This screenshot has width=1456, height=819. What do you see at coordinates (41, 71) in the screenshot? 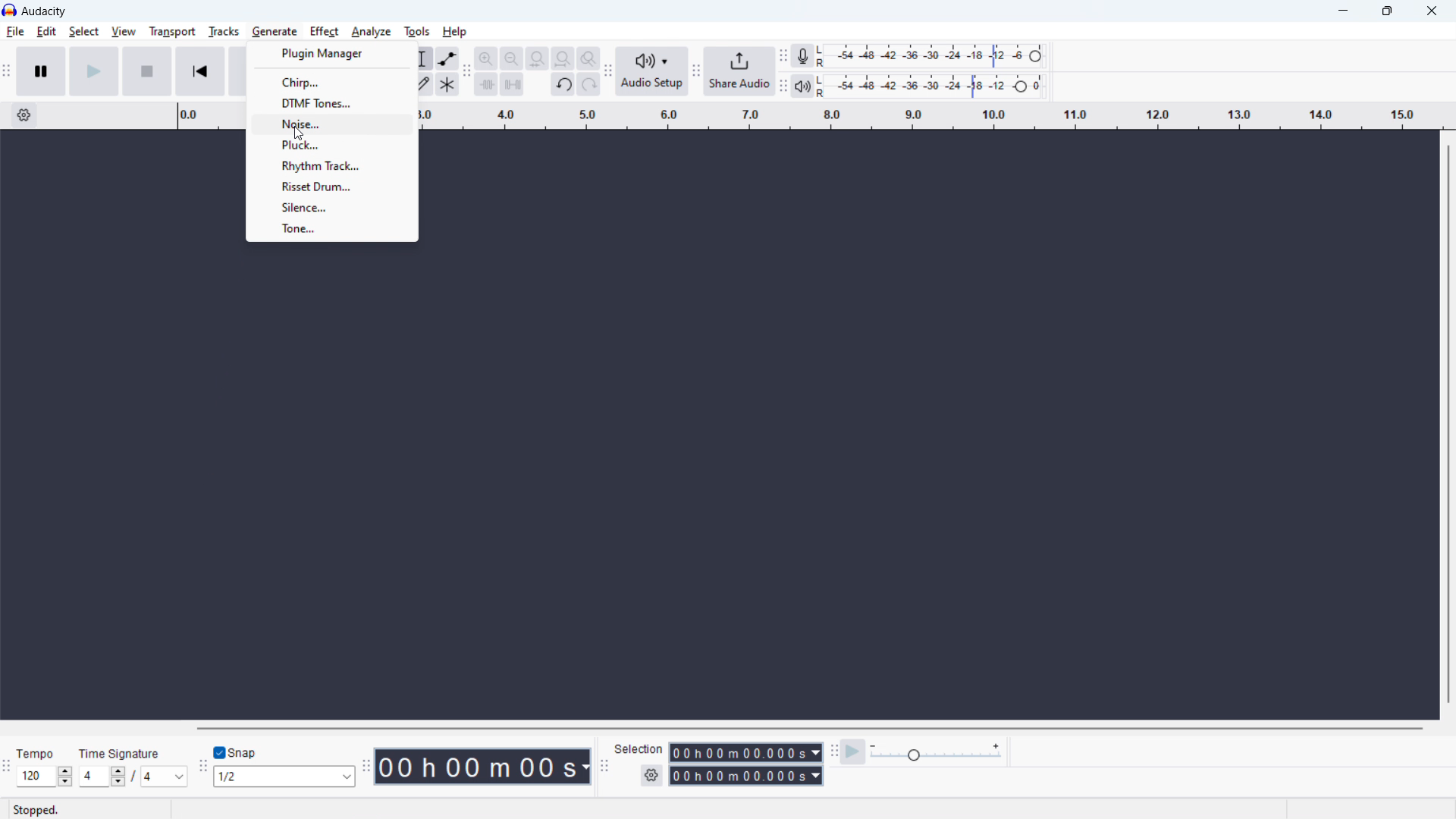
I see `pause` at bounding box center [41, 71].